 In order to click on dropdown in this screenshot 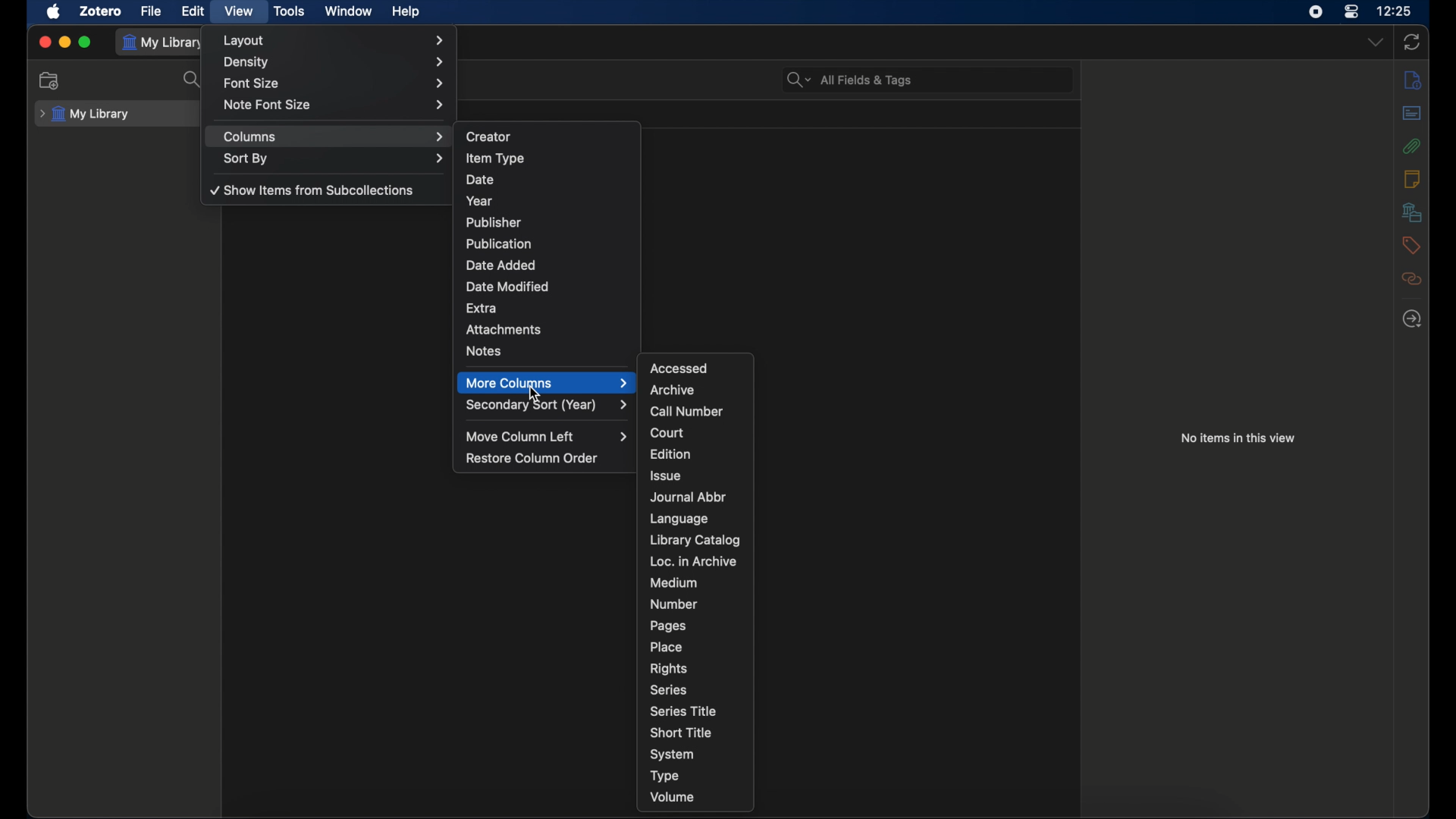, I will do `click(1375, 41)`.